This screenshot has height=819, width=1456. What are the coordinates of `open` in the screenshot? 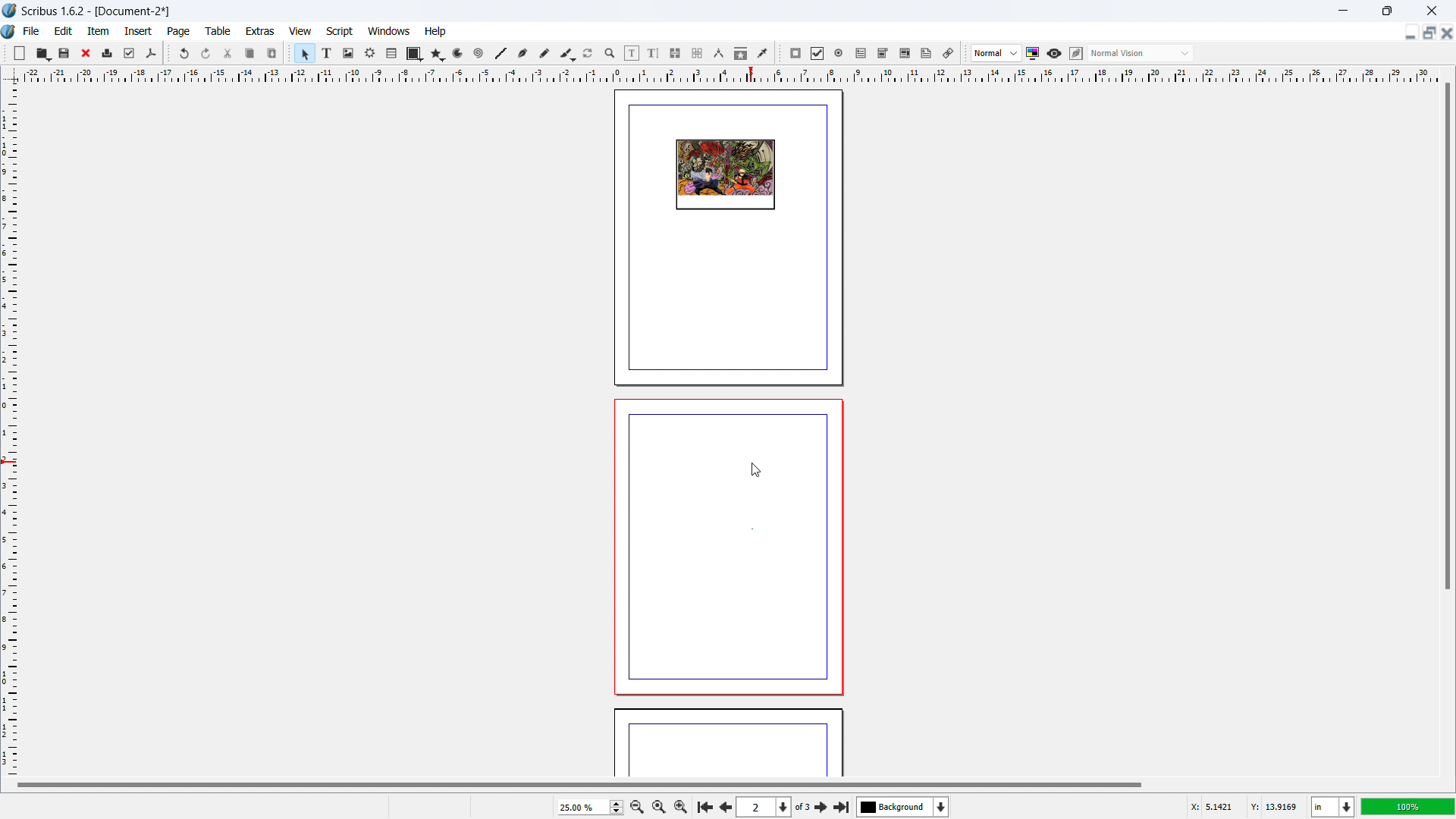 It's located at (42, 53).